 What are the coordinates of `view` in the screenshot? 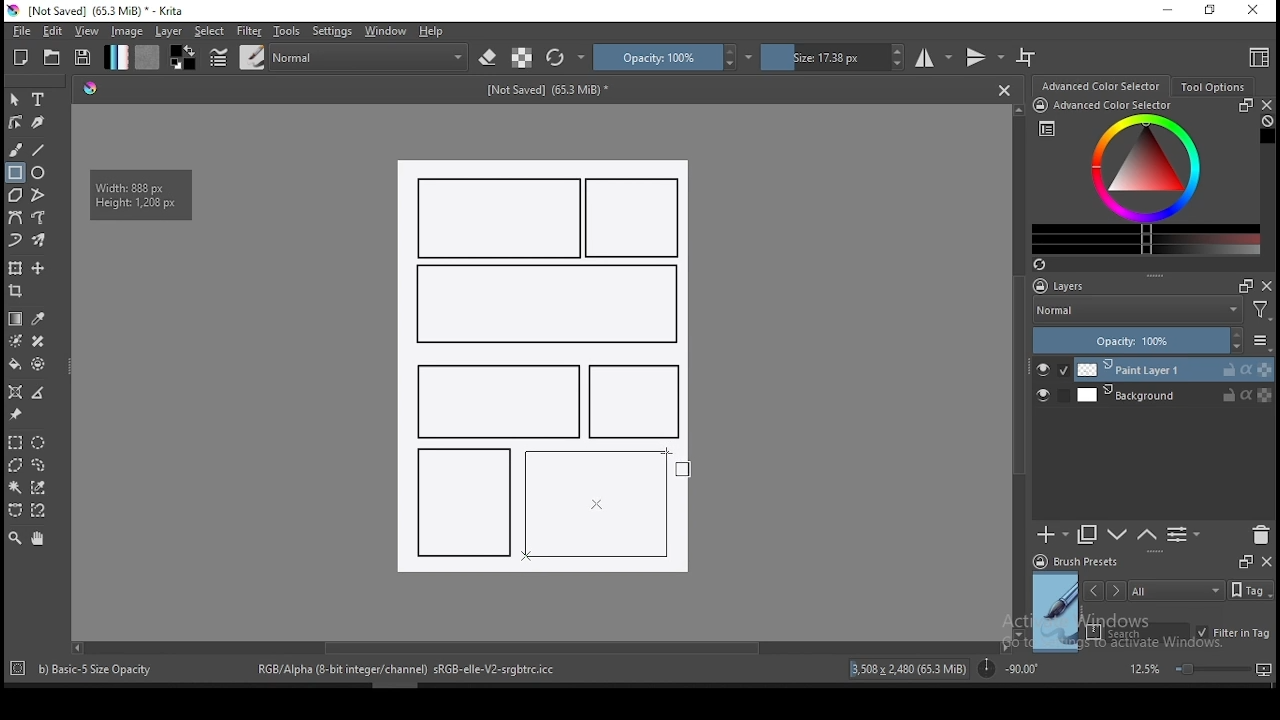 It's located at (86, 31).